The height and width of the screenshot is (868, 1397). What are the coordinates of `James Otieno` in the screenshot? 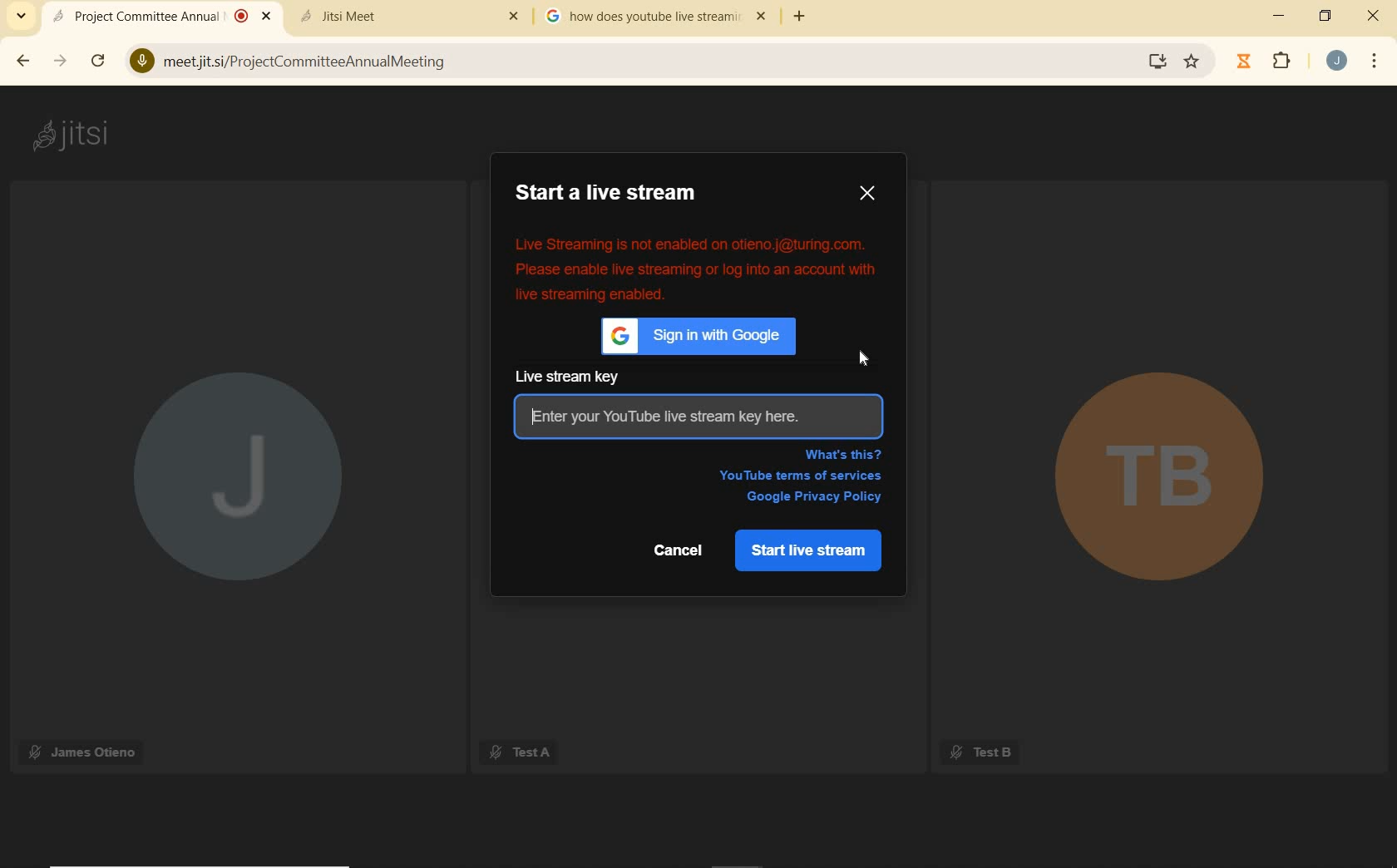 It's located at (86, 752).